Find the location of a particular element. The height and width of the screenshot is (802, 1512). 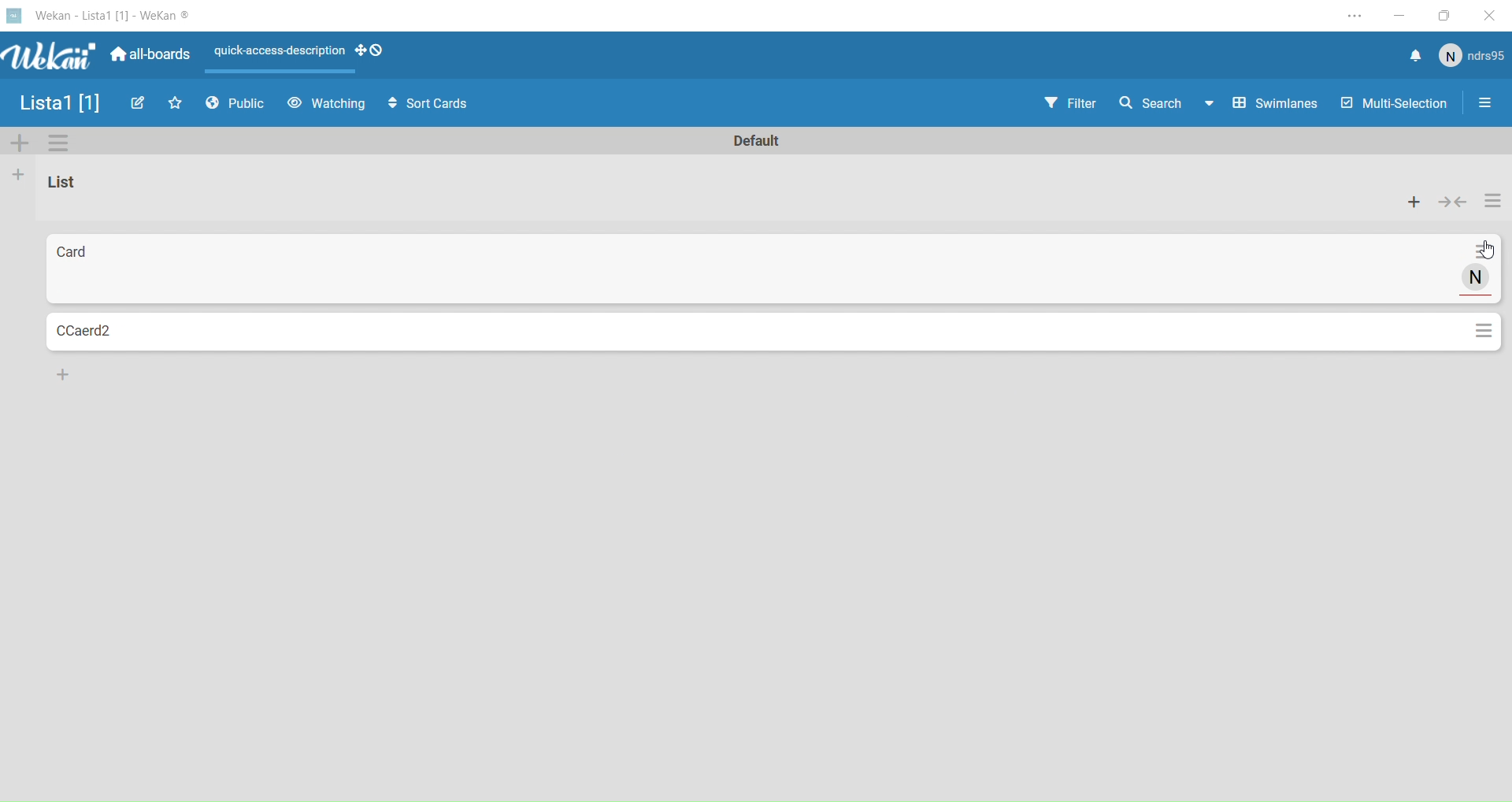

Options is located at coordinates (1488, 104).